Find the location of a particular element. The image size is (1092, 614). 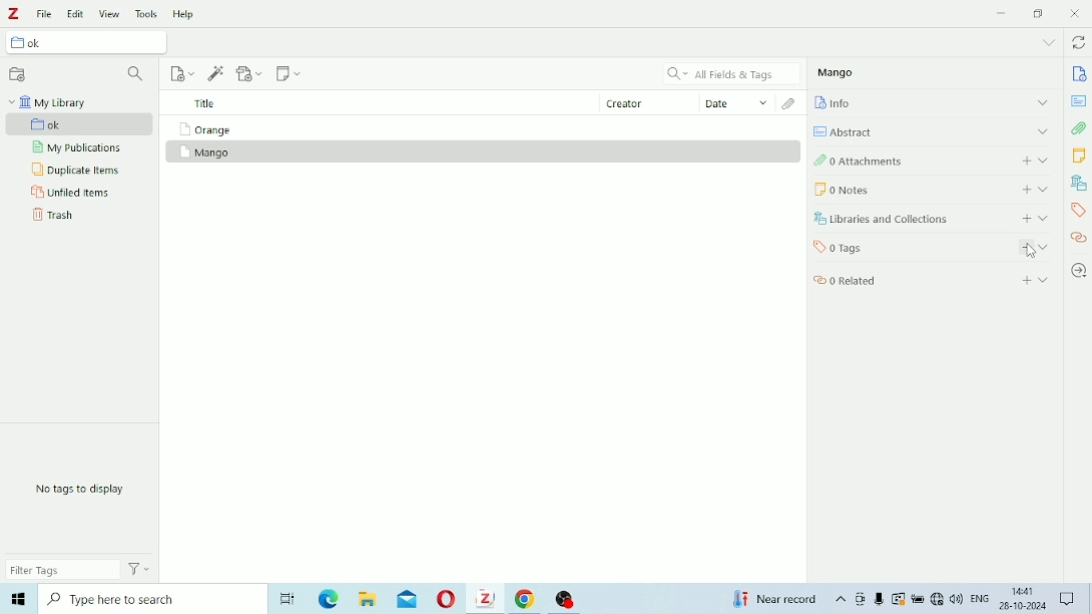

All Fields & Tags is located at coordinates (734, 74).